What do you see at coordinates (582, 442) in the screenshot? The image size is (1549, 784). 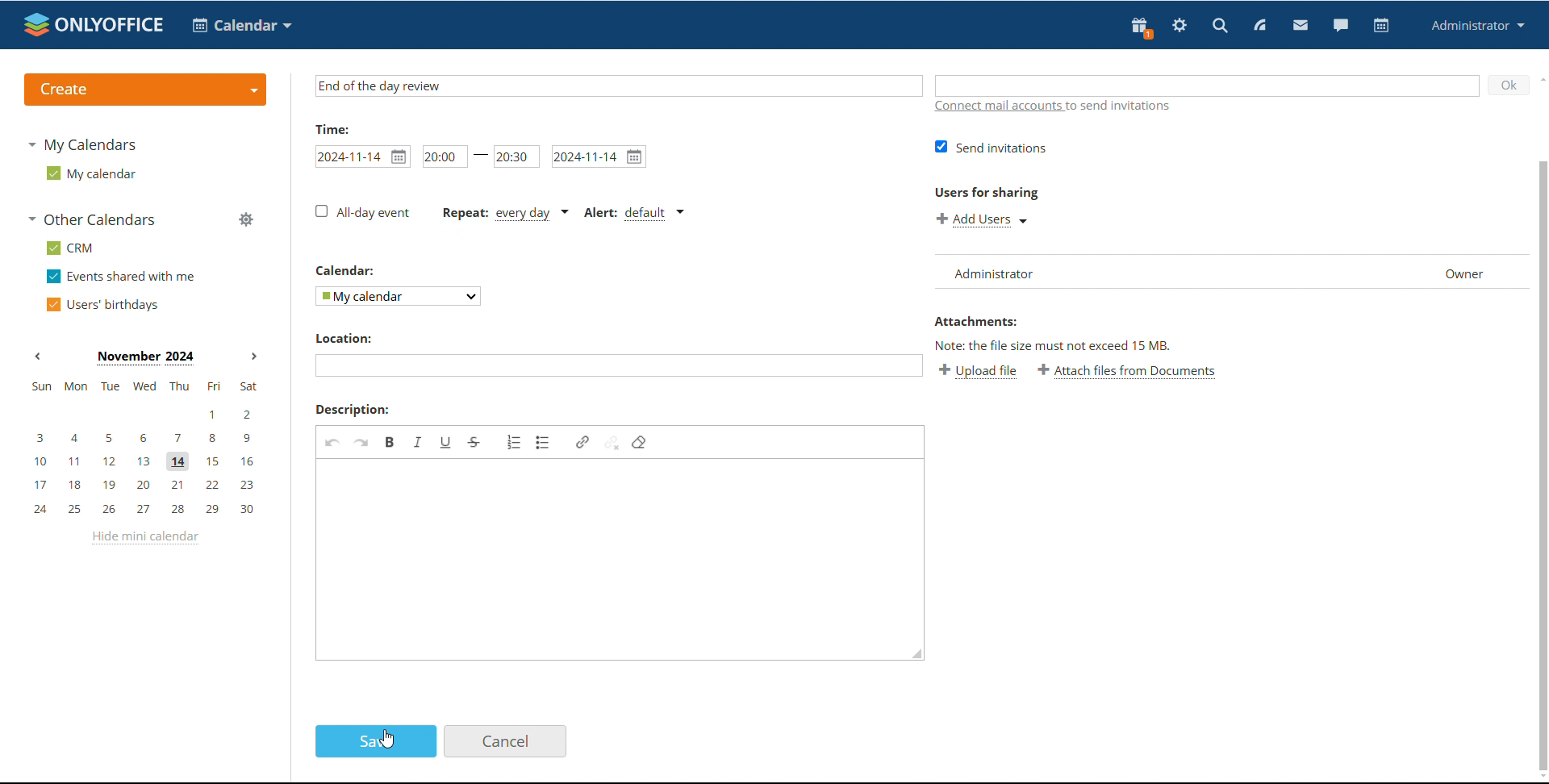 I see `link` at bounding box center [582, 442].